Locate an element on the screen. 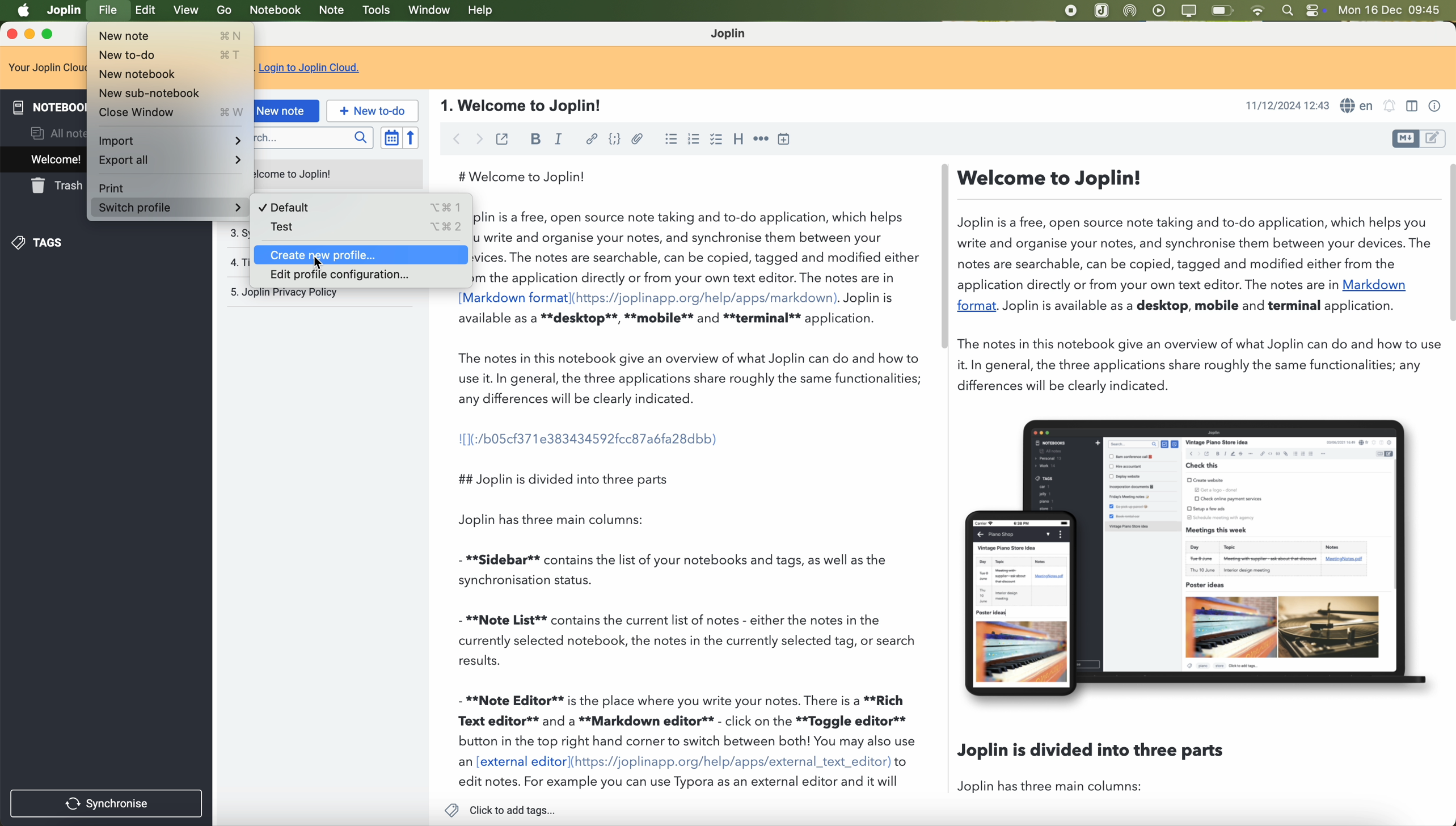 The height and width of the screenshot is (826, 1456). Cursor is located at coordinates (318, 263).